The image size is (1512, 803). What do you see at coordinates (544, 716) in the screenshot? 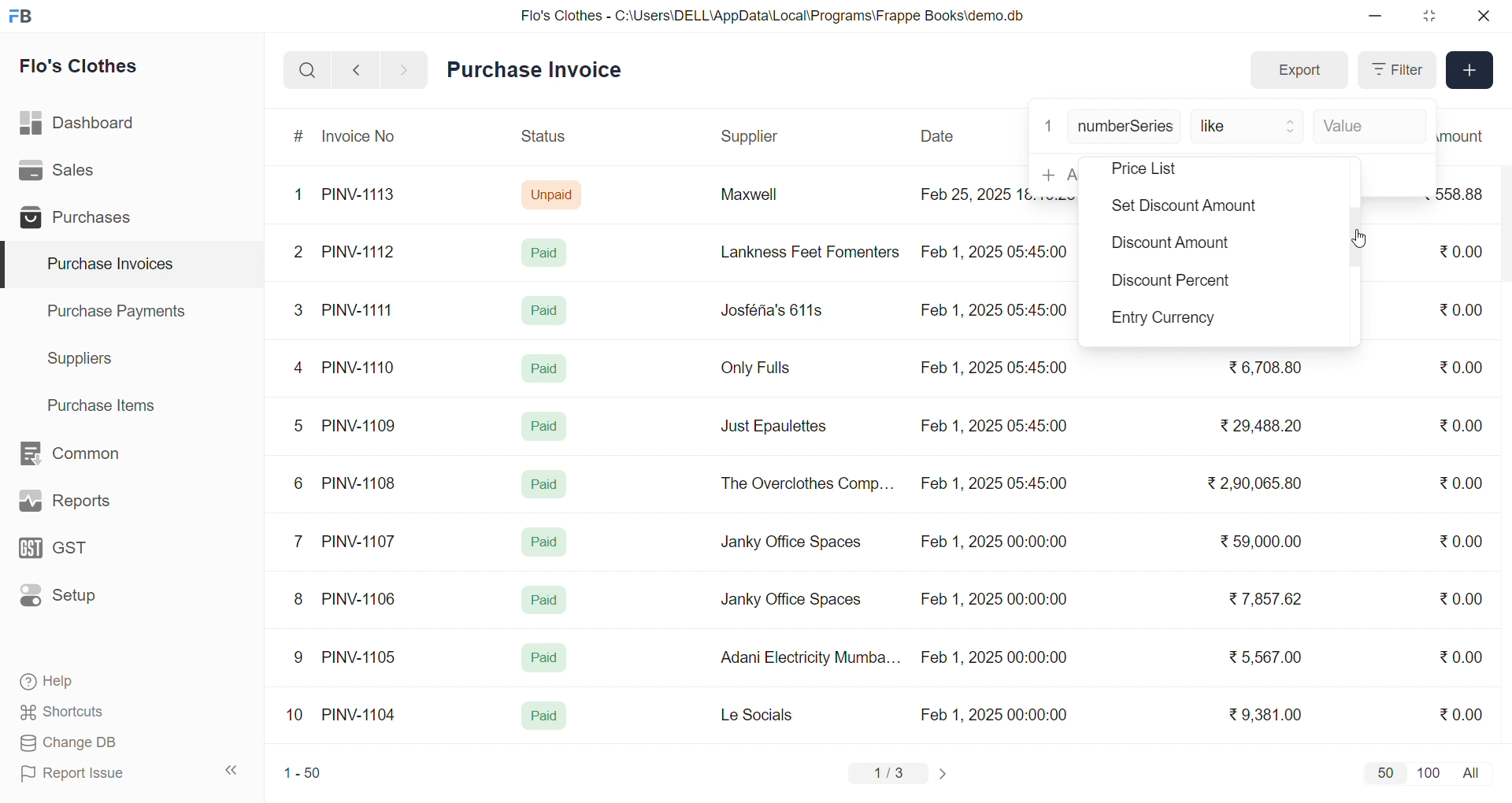
I see `Paid` at bounding box center [544, 716].